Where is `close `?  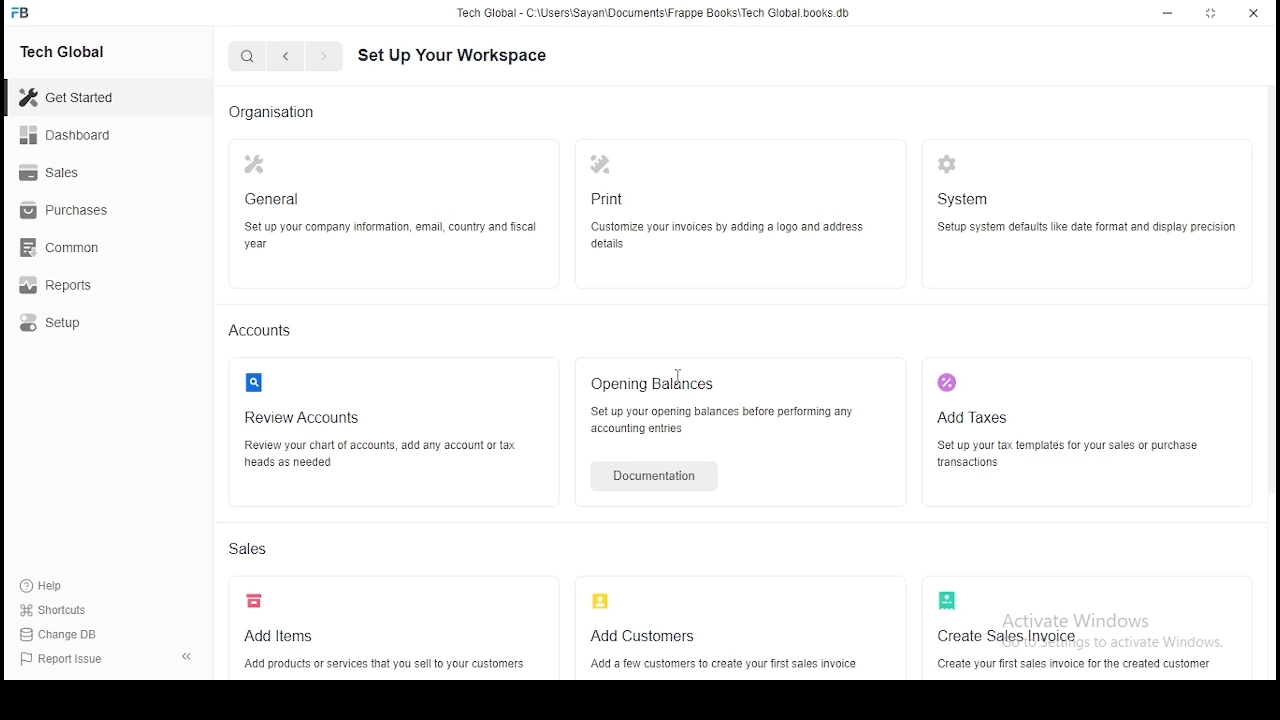
close  is located at coordinates (1252, 14).